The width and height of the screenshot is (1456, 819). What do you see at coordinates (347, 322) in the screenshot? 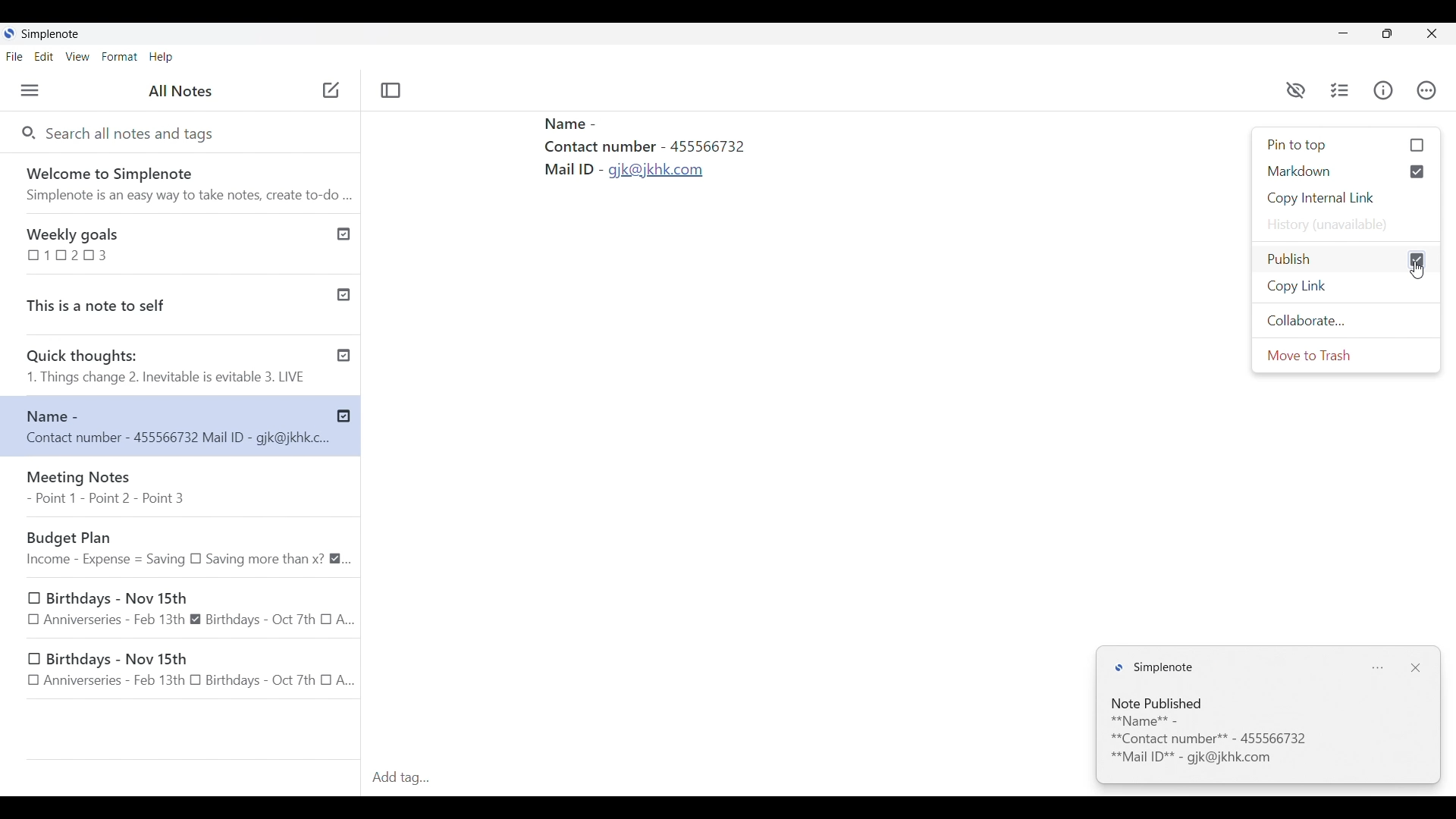
I see `Published notes check icon` at bounding box center [347, 322].